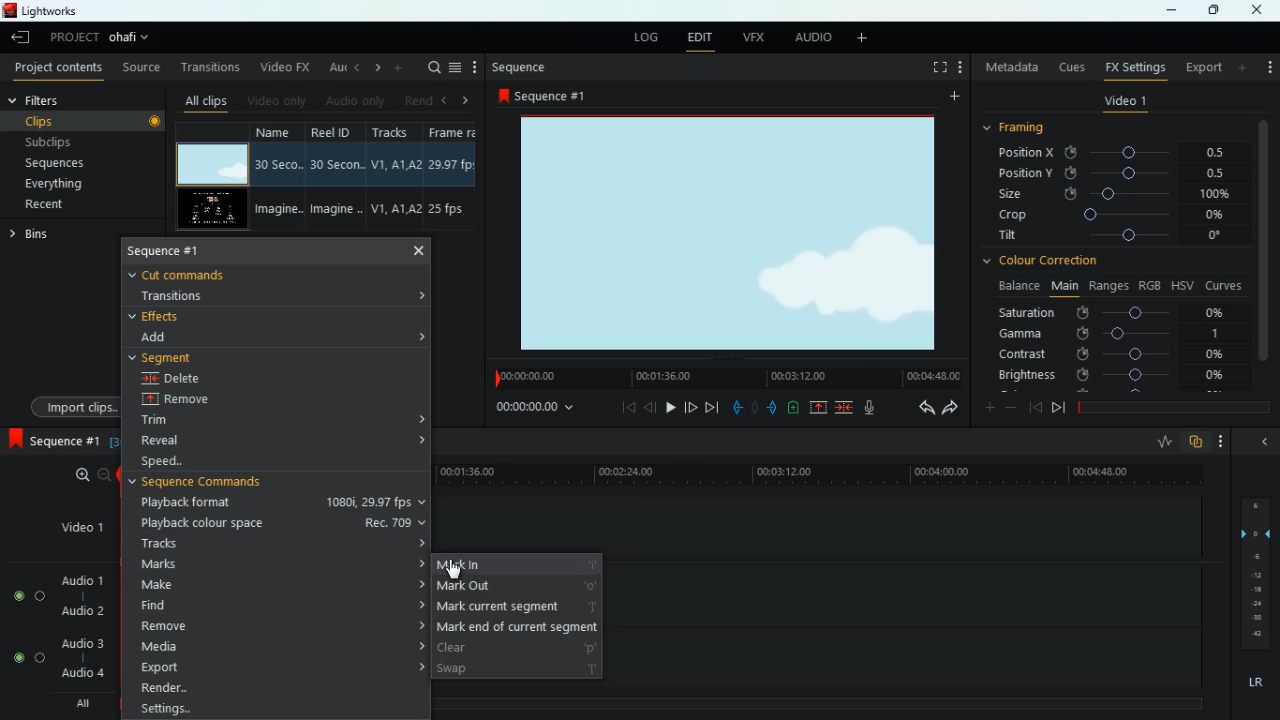 Image resolution: width=1280 pixels, height=720 pixels. What do you see at coordinates (64, 10) in the screenshot?
I see `lightworks` at bounding box center [64, 10].